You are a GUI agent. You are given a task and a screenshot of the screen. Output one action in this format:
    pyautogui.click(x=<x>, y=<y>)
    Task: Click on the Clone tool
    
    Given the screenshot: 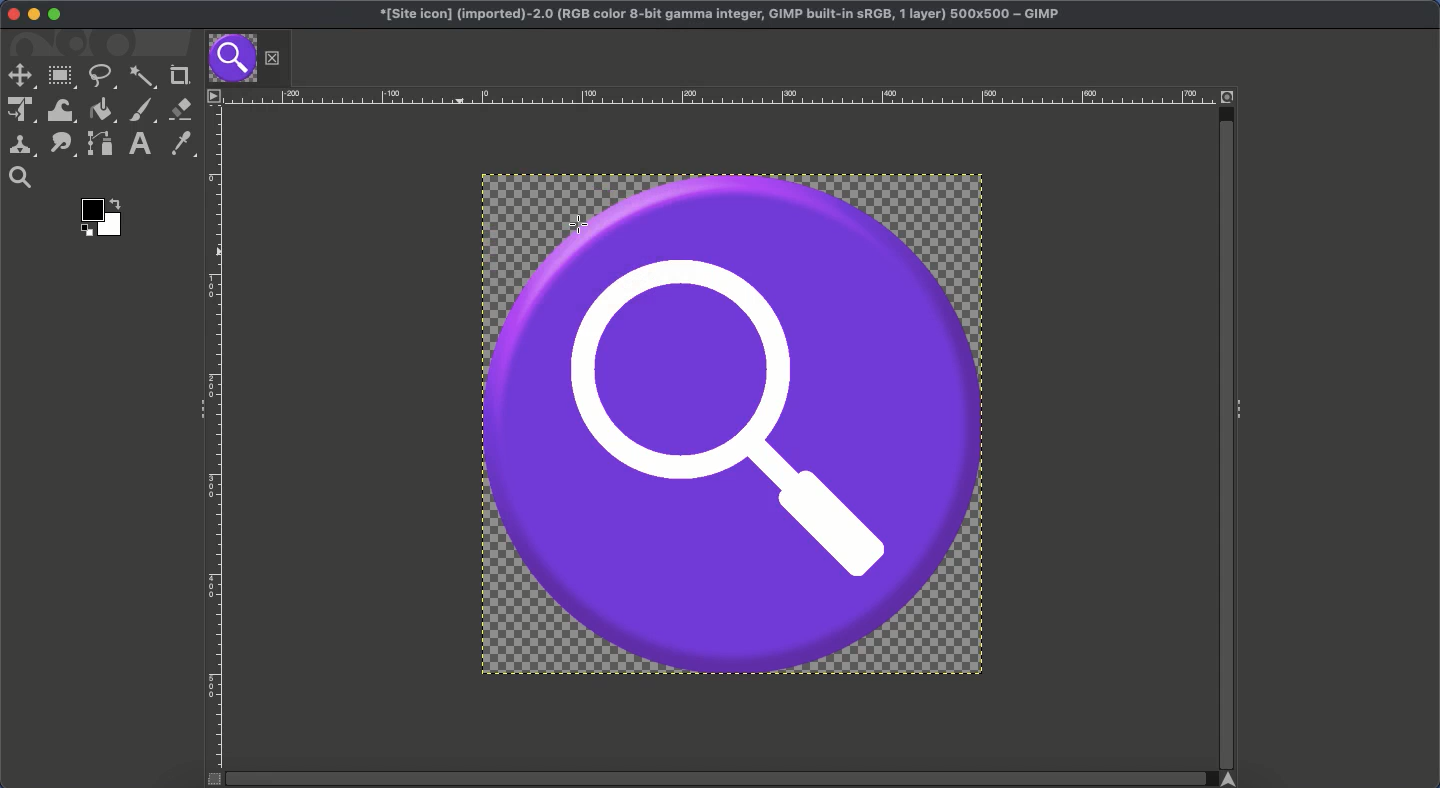 What is the action you would take?
    pyautogui.click(x=21, y=147)
    